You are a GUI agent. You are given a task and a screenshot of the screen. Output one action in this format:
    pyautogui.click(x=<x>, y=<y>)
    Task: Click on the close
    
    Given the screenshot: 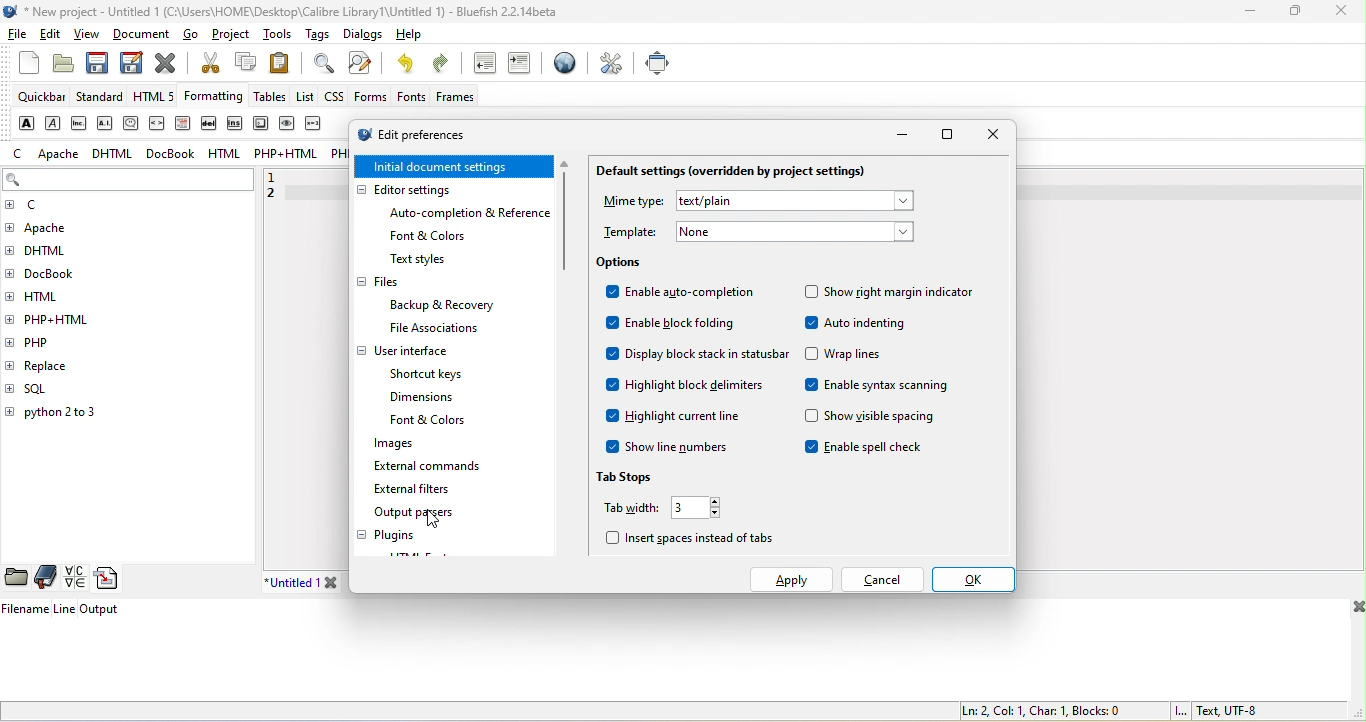 What is the action you would take?
    pyautogui.click(x=1341, y=12)
    